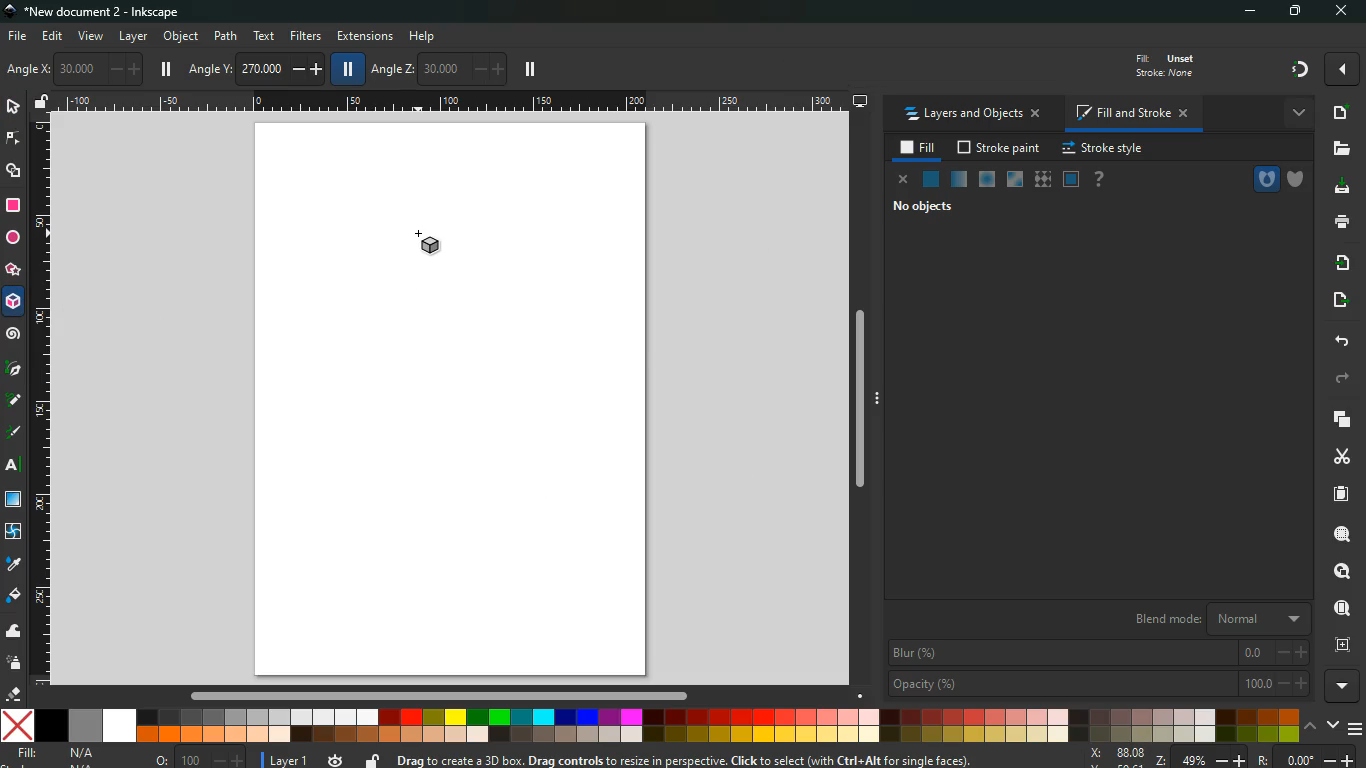  Describe the element at coordinates (684, 761) in the screenshot. I see `message` at that location.